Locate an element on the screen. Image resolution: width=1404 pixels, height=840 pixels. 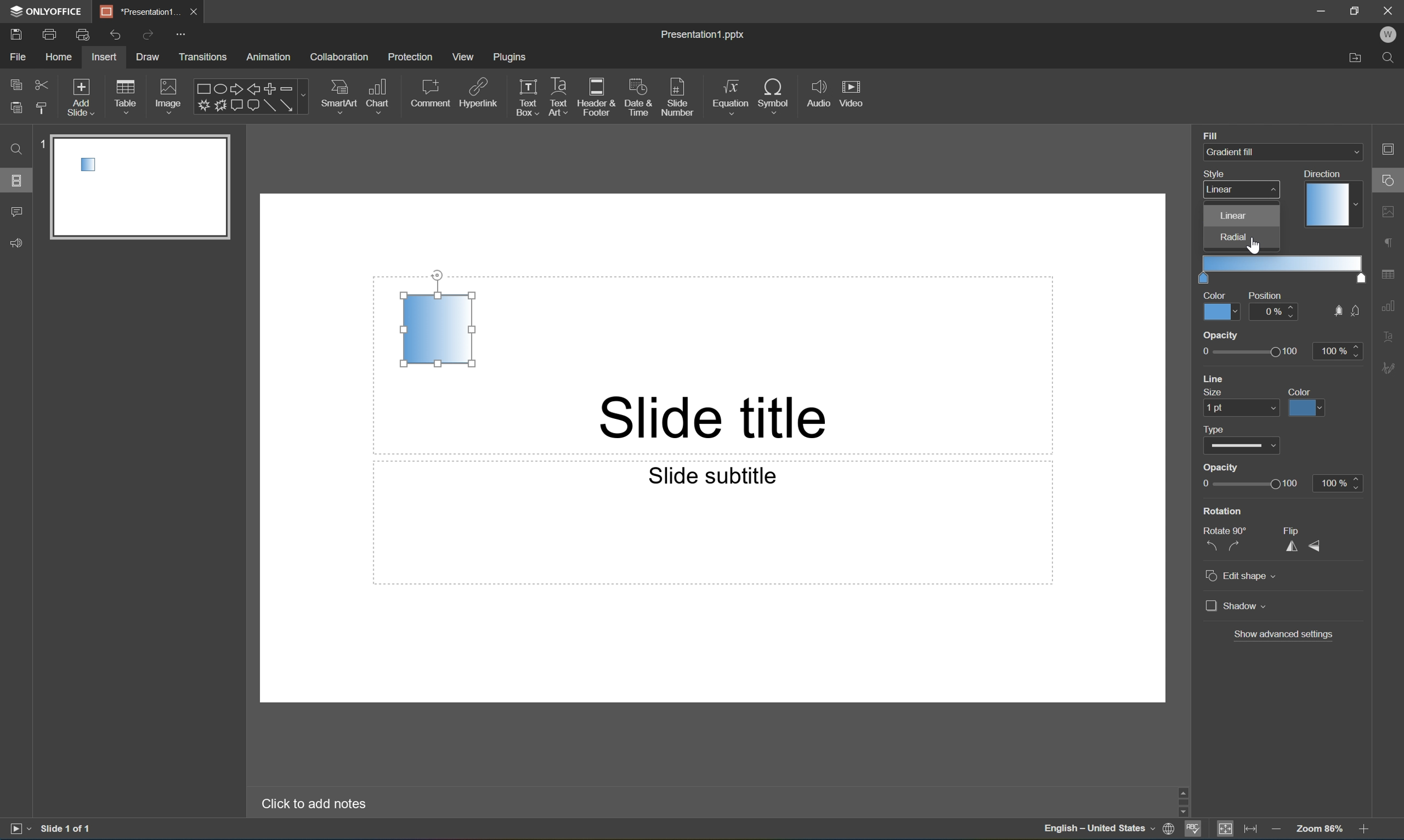
Audio is located at coordinates (819, 93).